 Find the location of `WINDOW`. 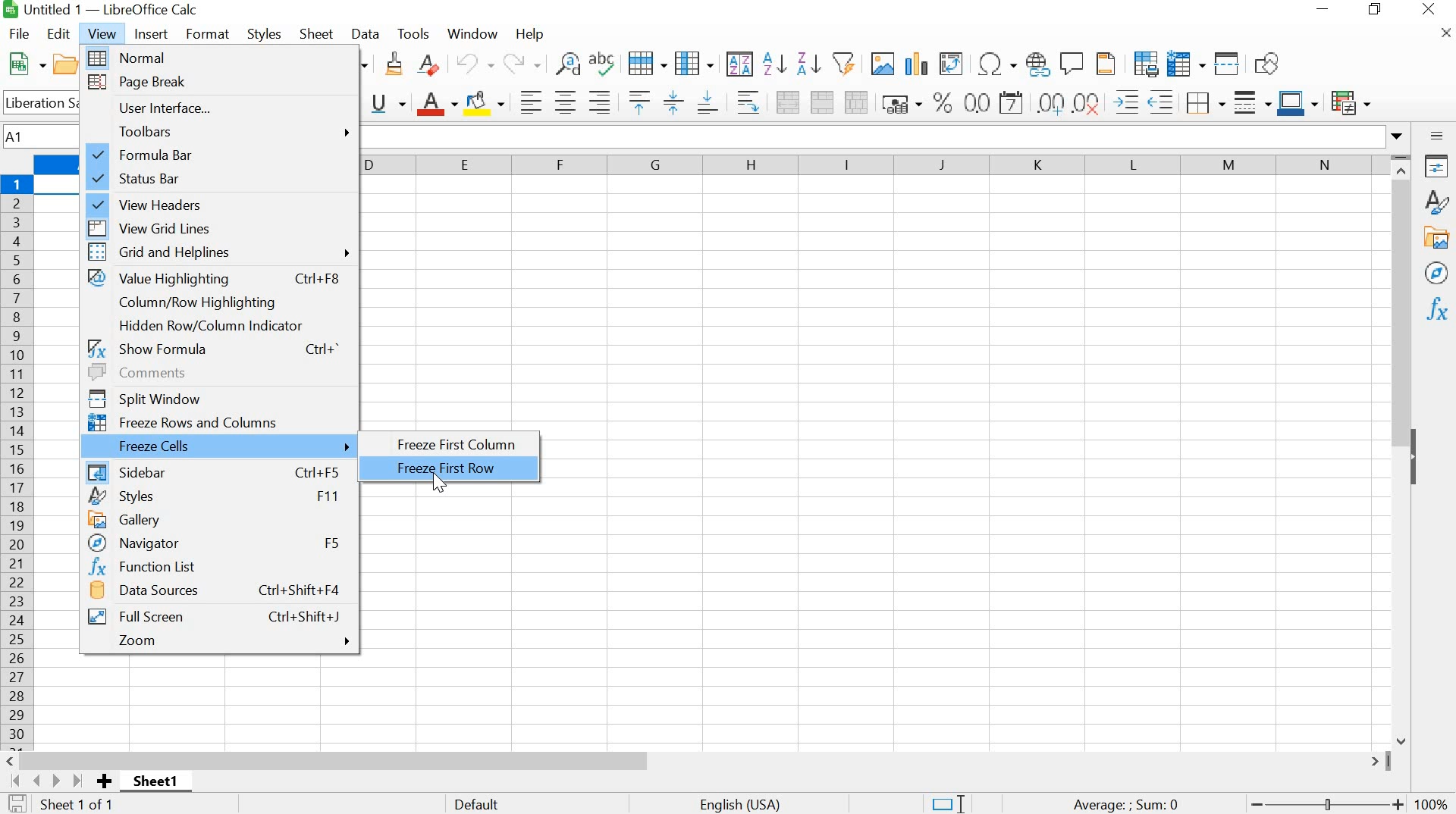

WINDOW is located at coordinates (473, 33).